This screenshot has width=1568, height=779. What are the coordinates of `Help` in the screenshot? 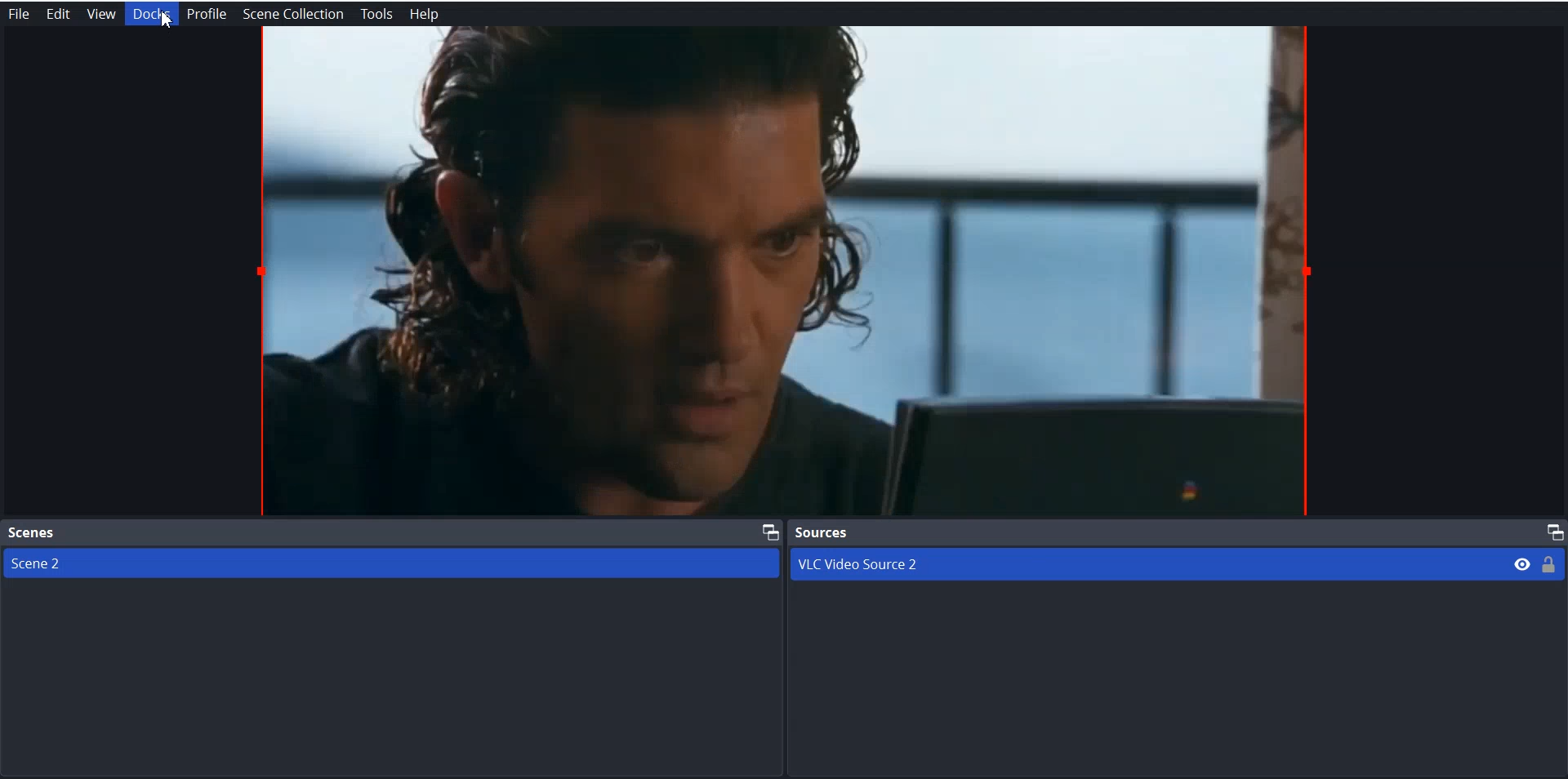 It's located at (425, 15).